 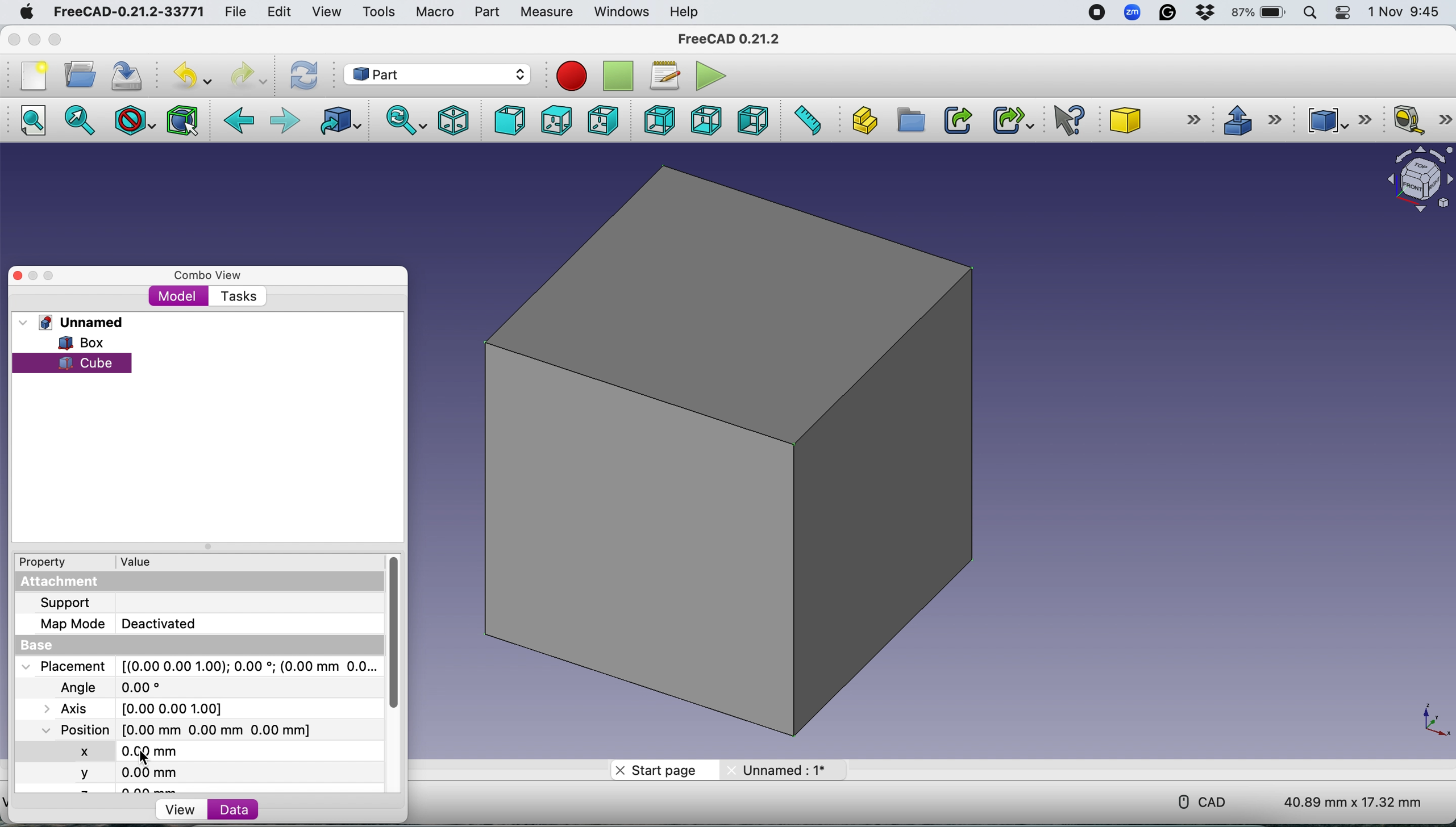 I want to click on Model, so click(x=178, y=297).